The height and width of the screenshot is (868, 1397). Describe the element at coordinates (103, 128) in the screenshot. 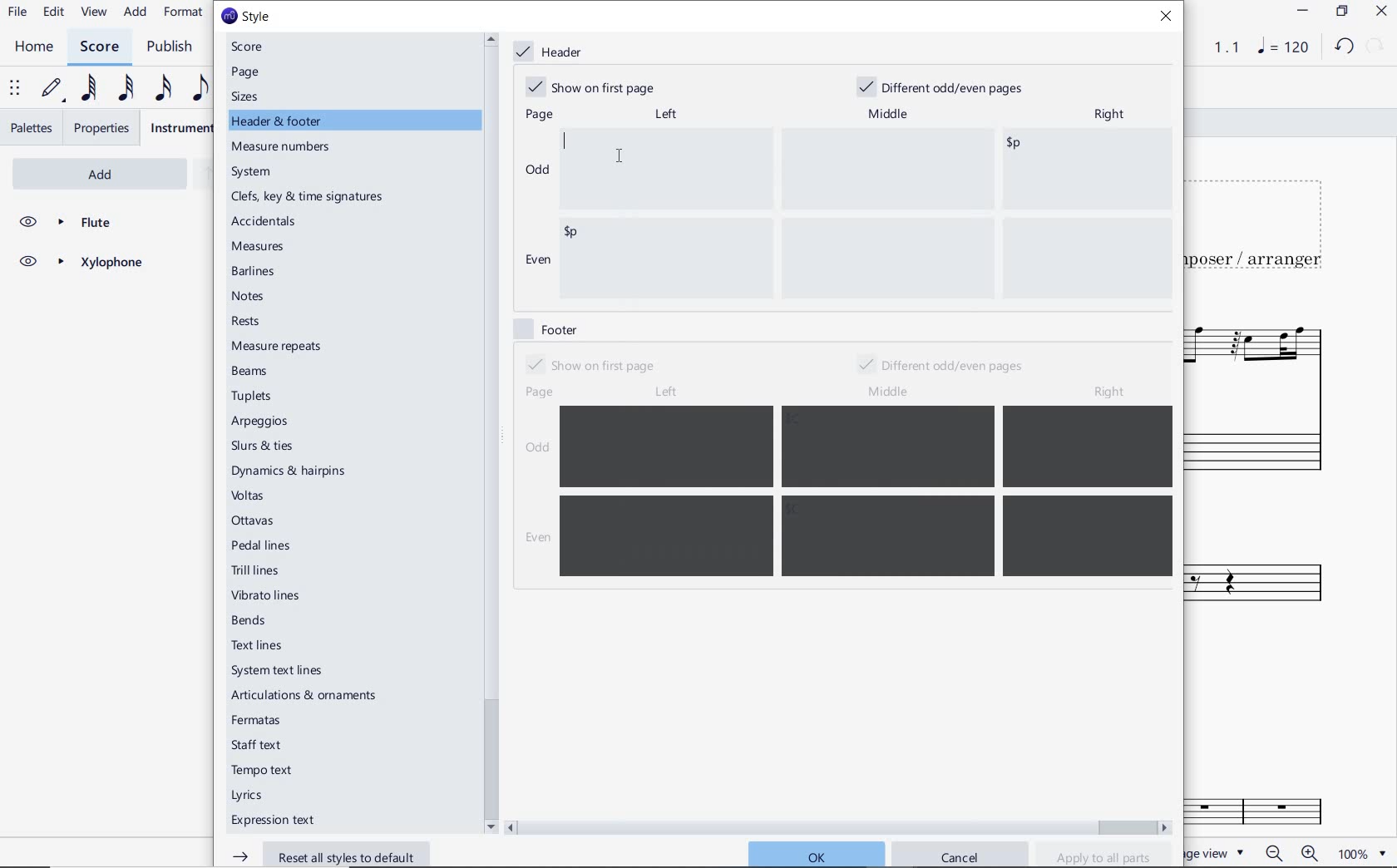

I see `PROPERTIES` at that location.